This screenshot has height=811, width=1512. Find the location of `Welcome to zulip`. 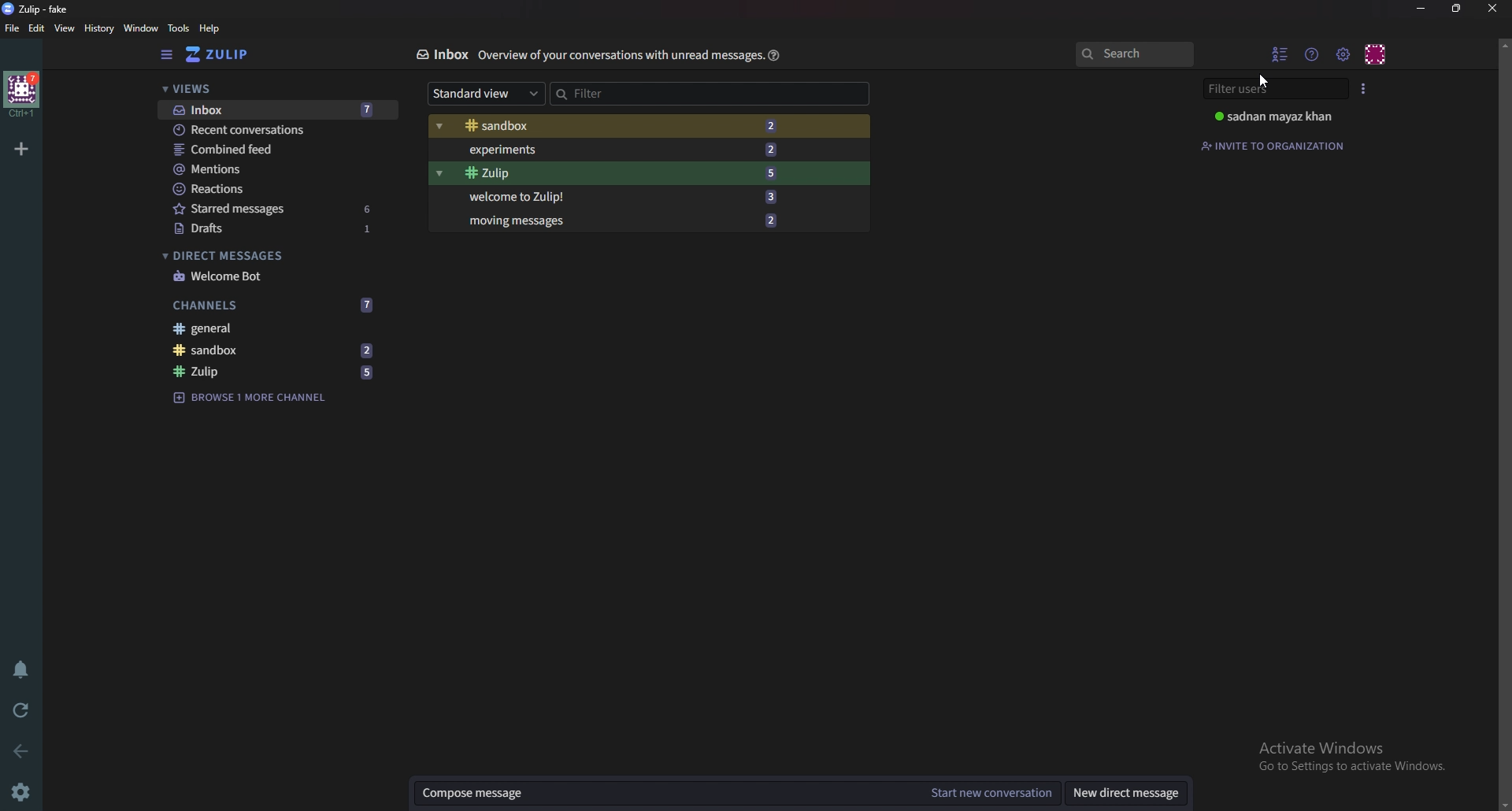

Welcome to zulip is located at coordinates (624, 198).